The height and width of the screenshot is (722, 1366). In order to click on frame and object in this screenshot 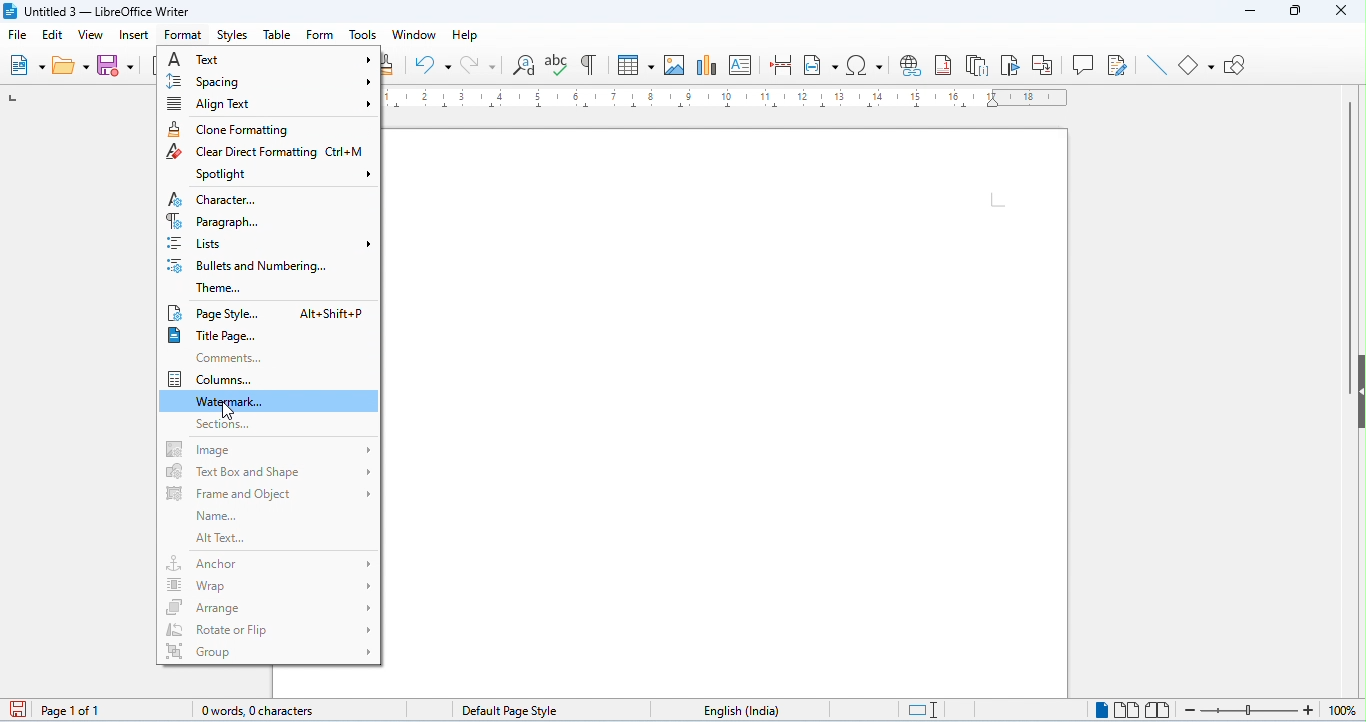, I will do `click(268, 496)`.